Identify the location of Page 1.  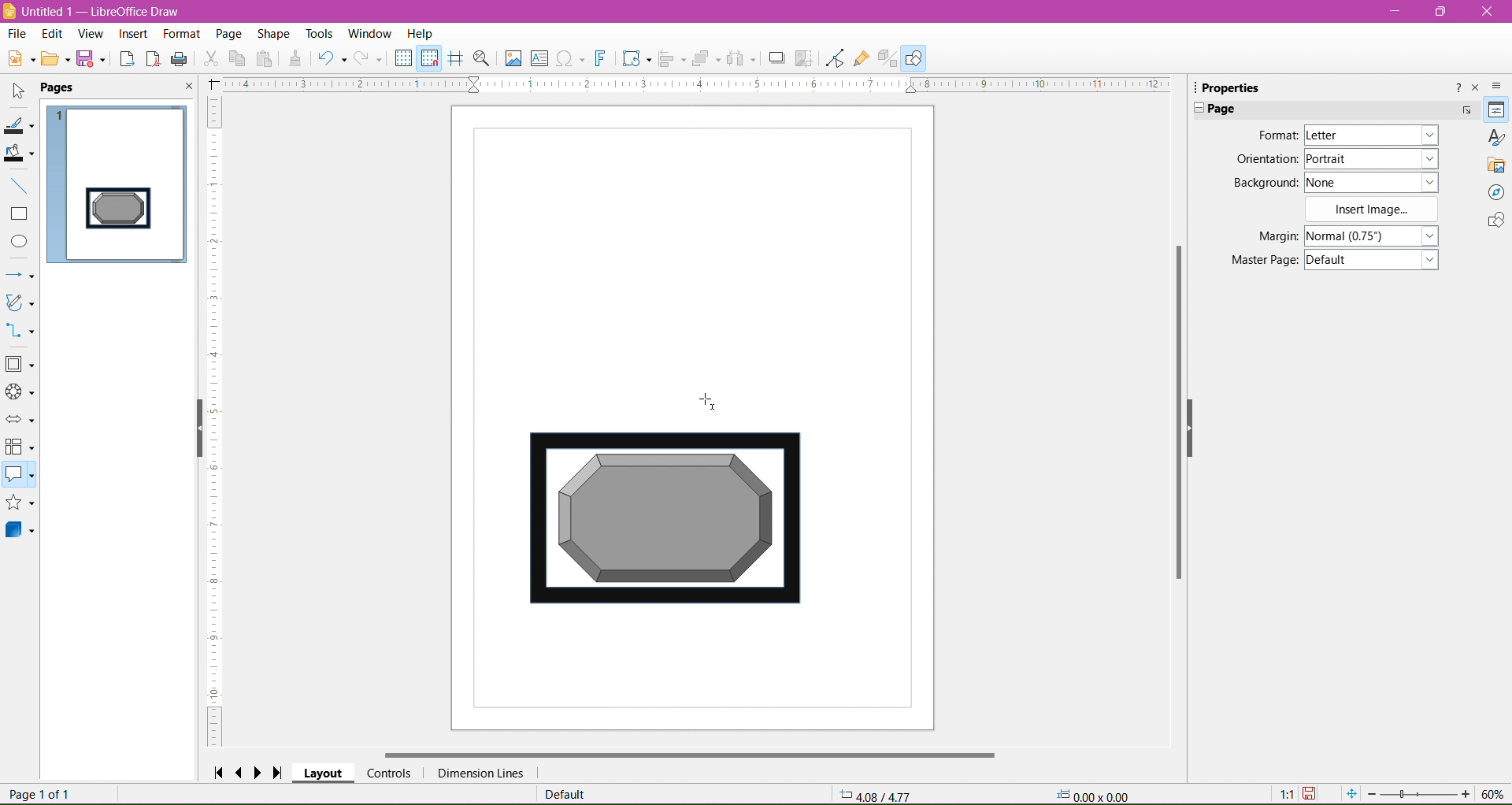
(119, 180).